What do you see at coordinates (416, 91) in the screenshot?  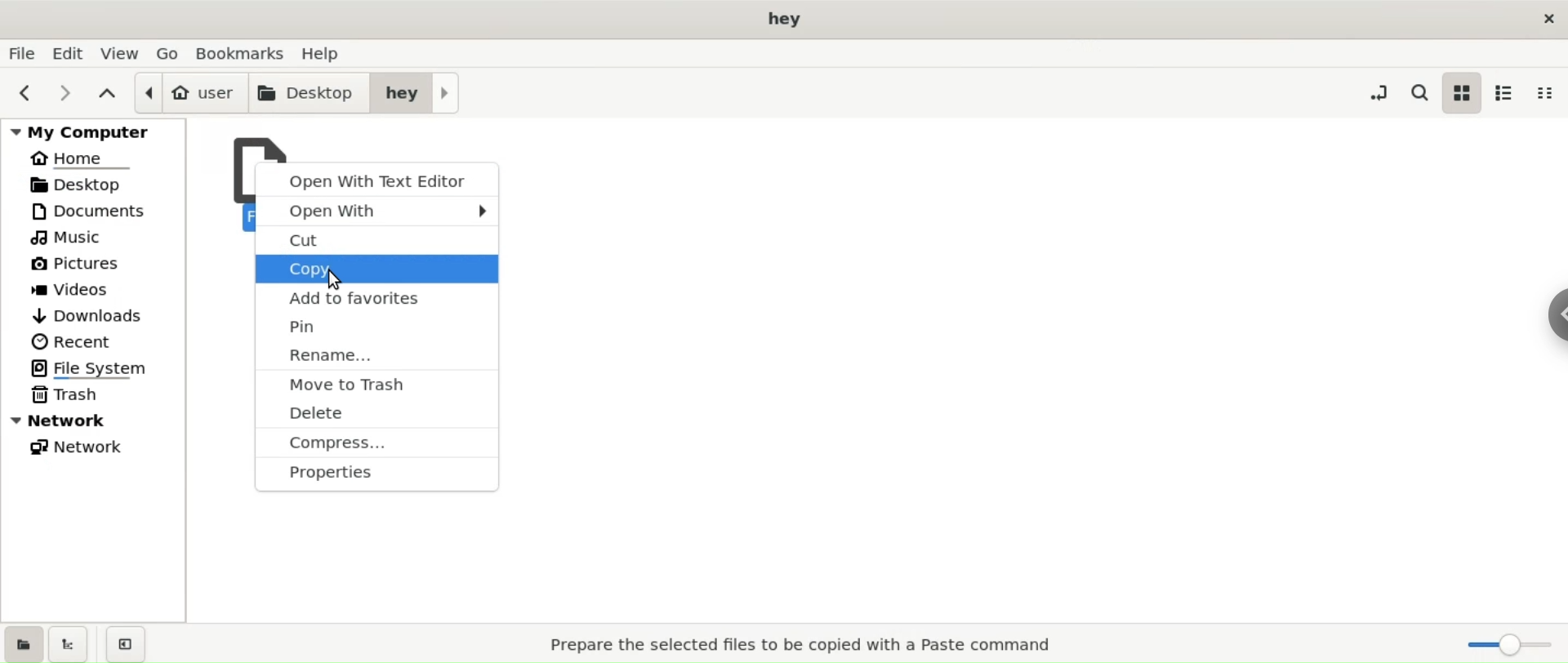 I see `hey` at bounding box center [416, 91].